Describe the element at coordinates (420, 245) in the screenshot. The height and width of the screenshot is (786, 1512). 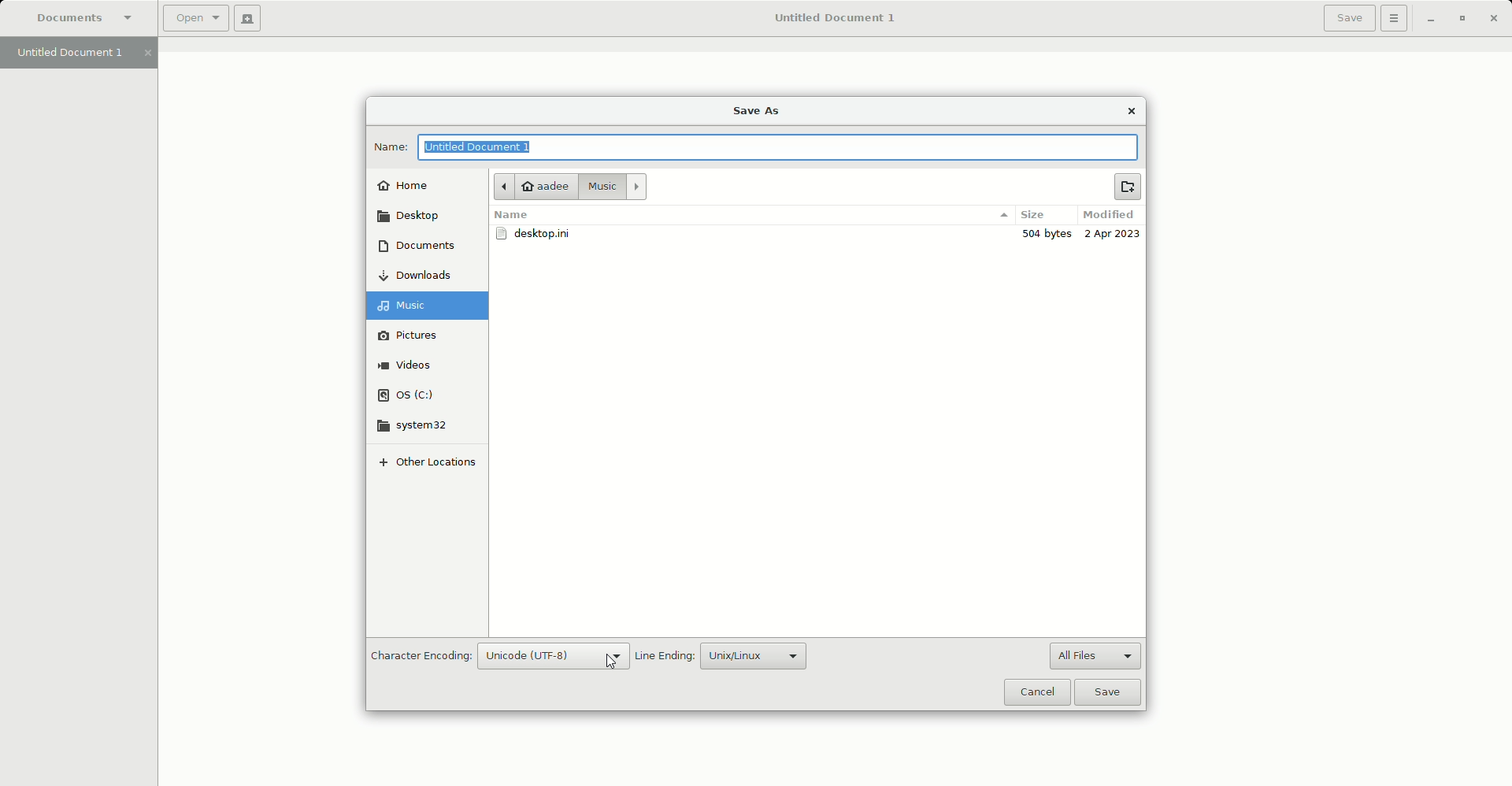
I see `Documents` at that location.